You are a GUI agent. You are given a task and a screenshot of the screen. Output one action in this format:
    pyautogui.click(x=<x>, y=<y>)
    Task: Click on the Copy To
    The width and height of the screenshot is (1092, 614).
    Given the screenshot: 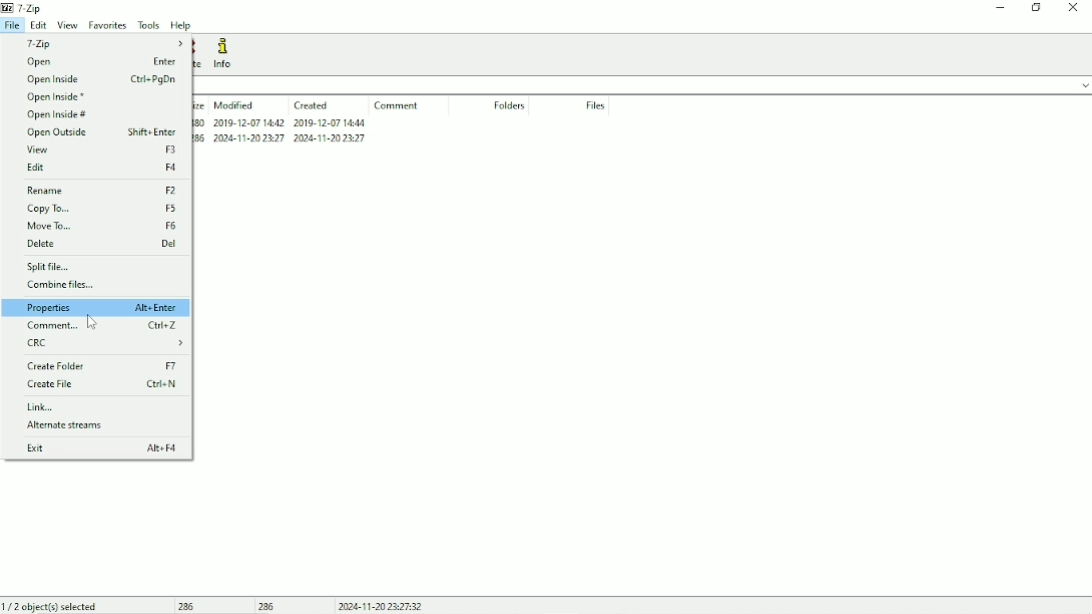 What is the action you would take?
    pyautogui.click(x=101, y=210)
    